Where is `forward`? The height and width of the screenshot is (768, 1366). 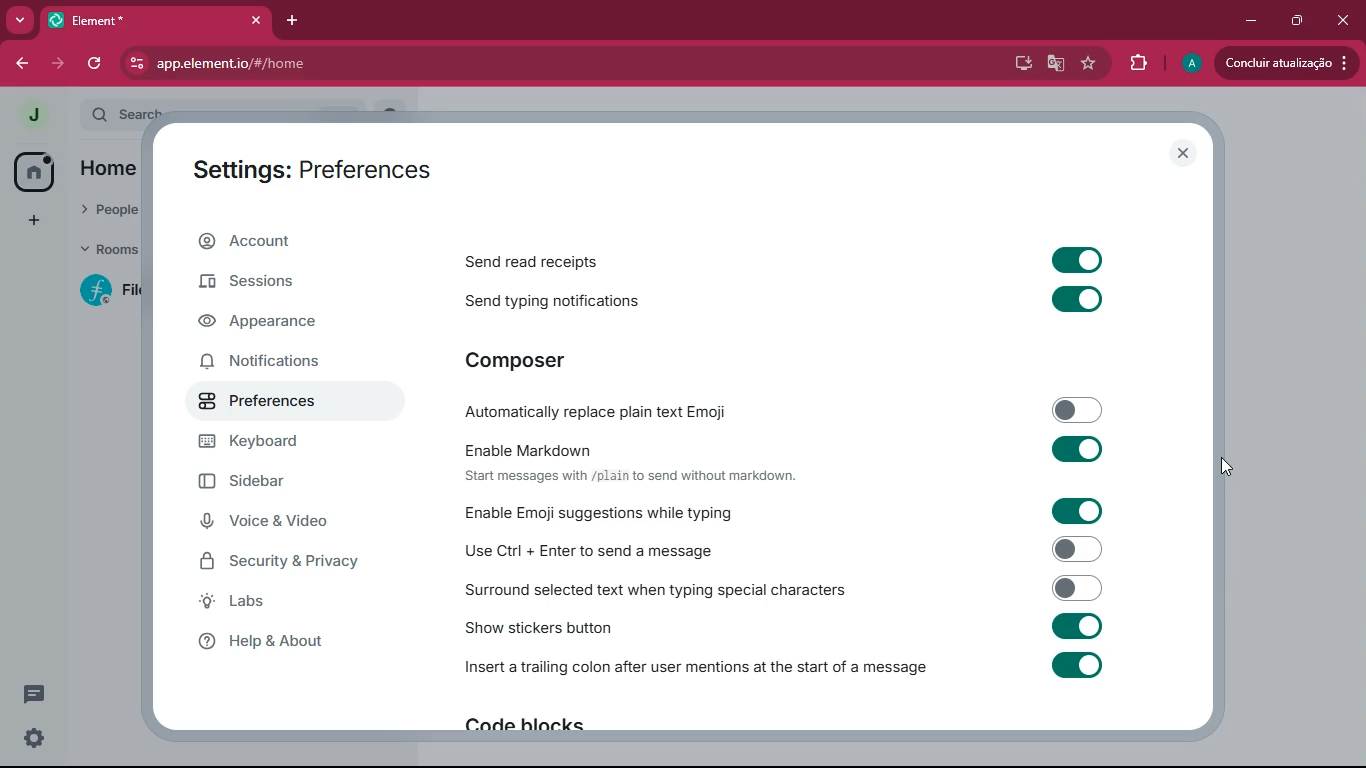
forward is located at coordinates (60, 66).